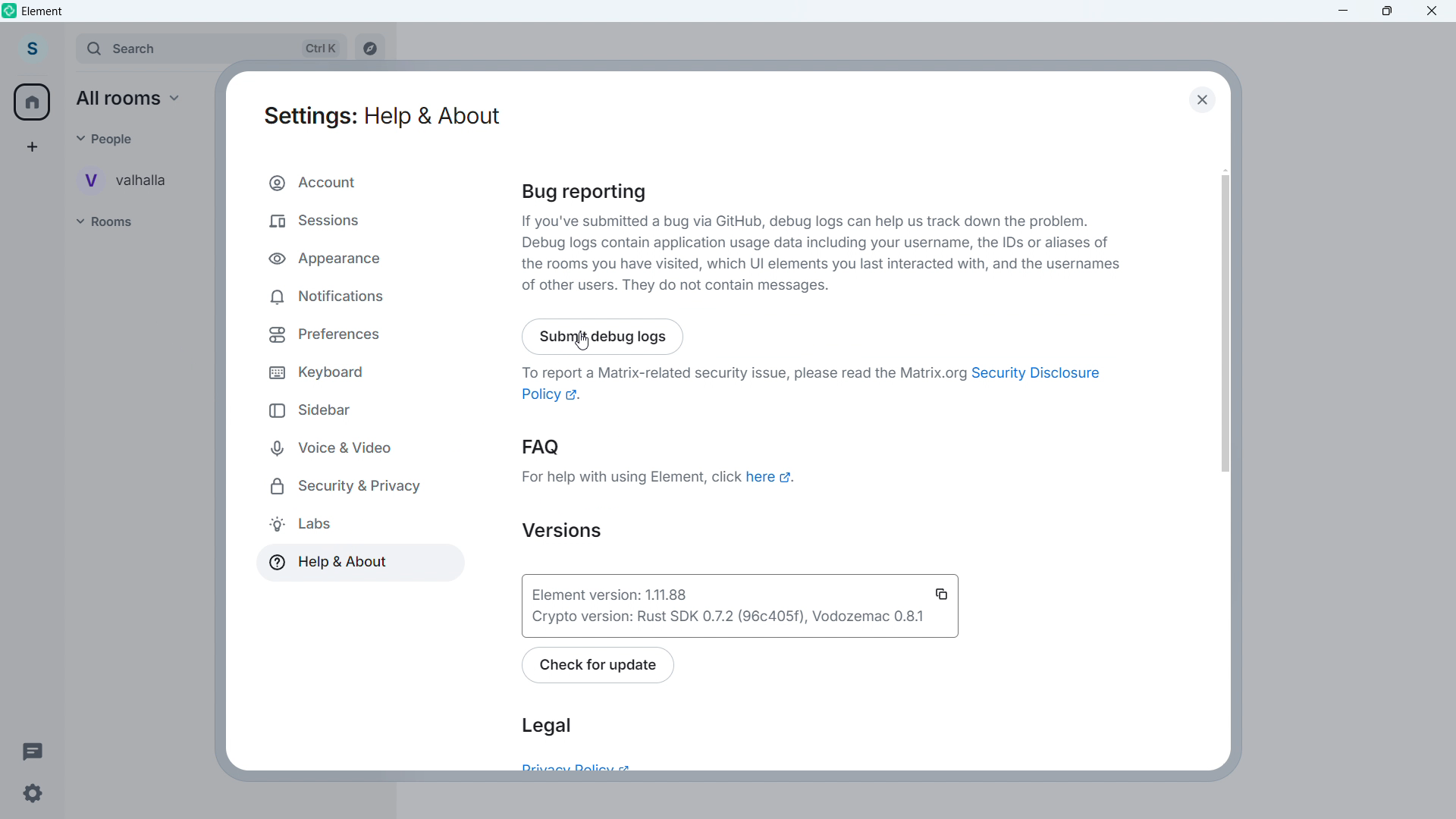 The width and height of the screenshot is (1456, 819). I want to click on Submit debug logs , so click(604, 335).